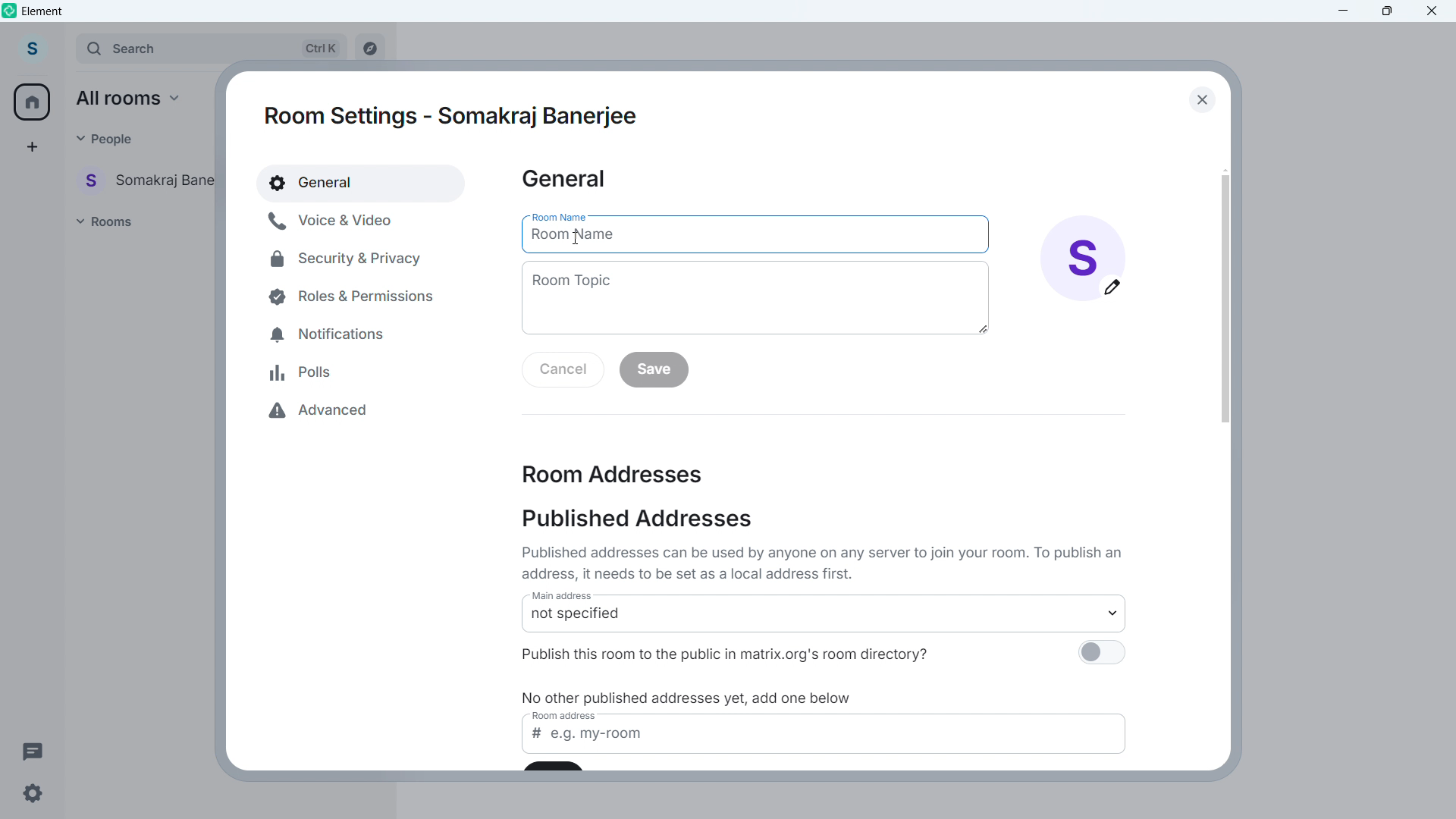 This screenshot has width=1456, height=819. I want to click on element, so click(42, 11).